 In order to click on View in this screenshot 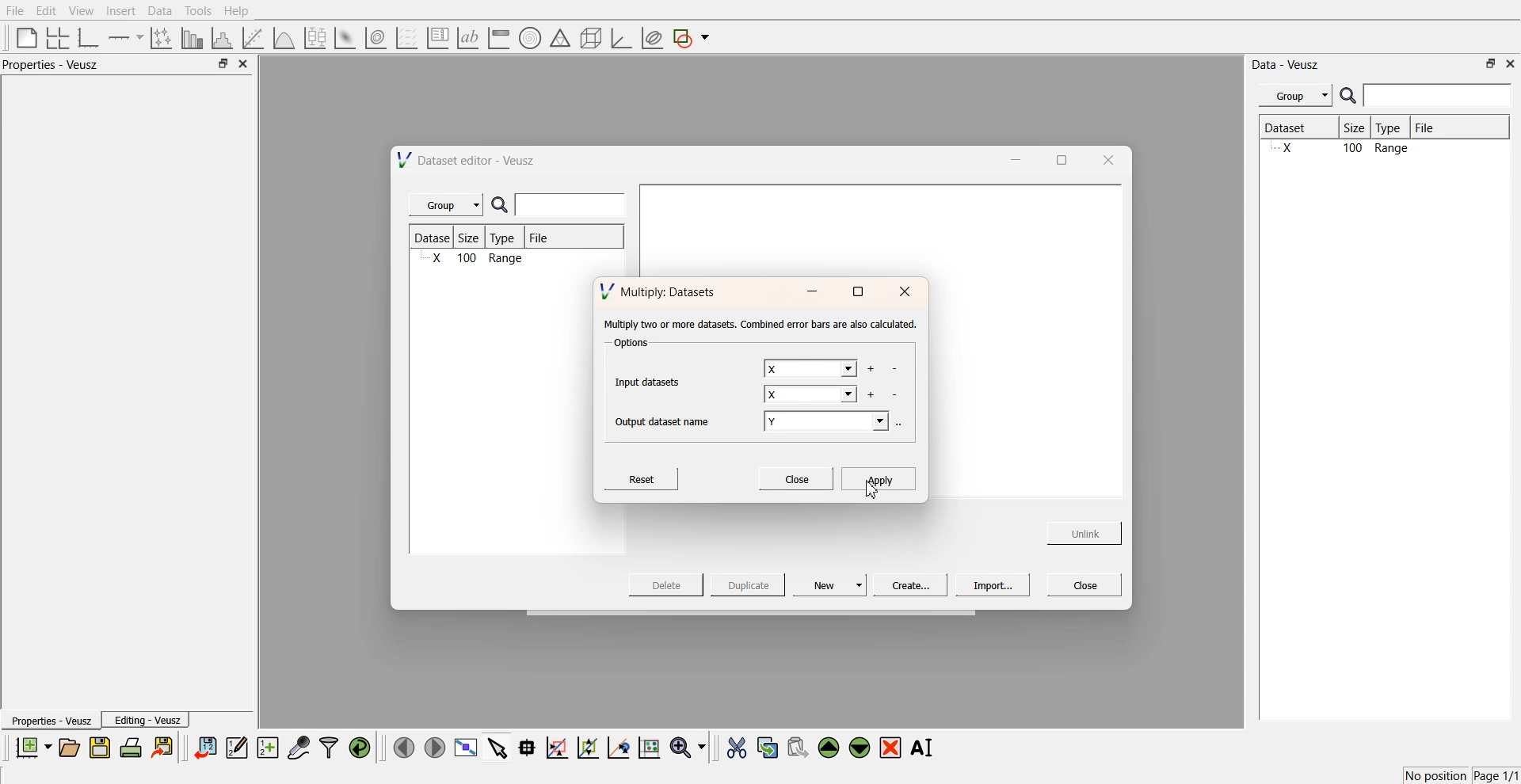, I will do `click(80, 11)`.